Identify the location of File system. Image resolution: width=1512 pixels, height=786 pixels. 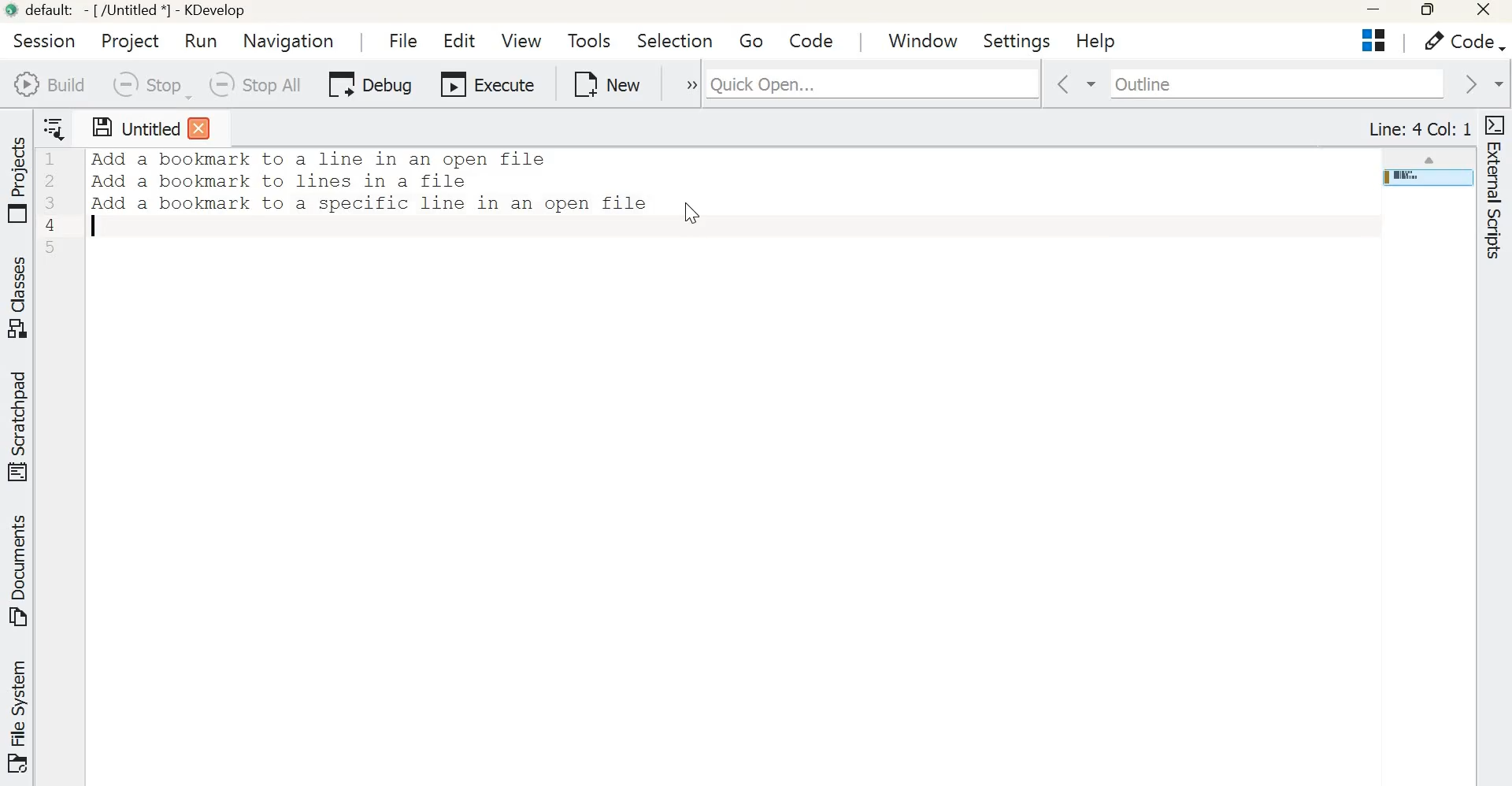
(21, 715).